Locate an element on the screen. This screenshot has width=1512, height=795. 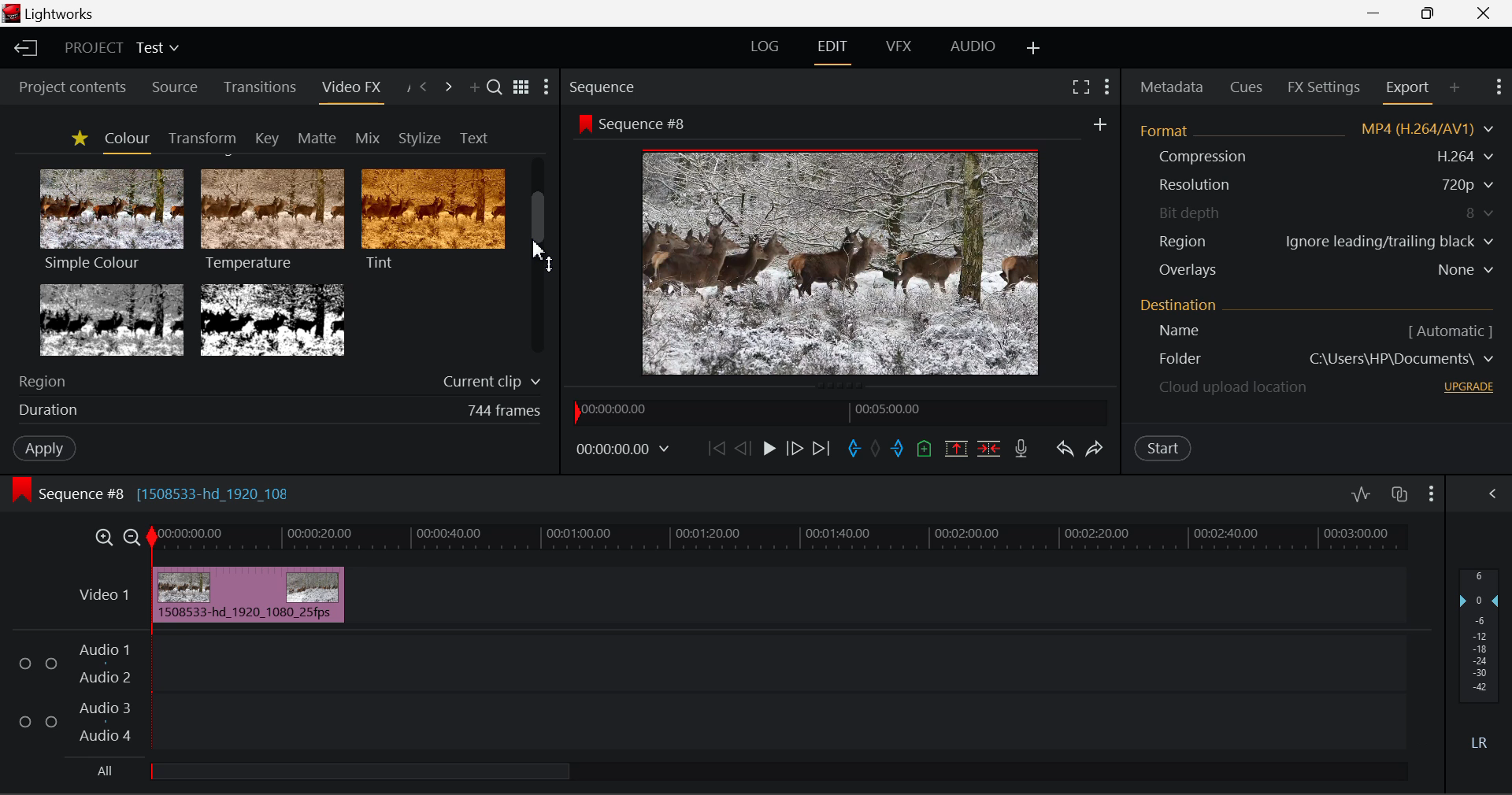
Checkbox is located at coordinates (52, 663).